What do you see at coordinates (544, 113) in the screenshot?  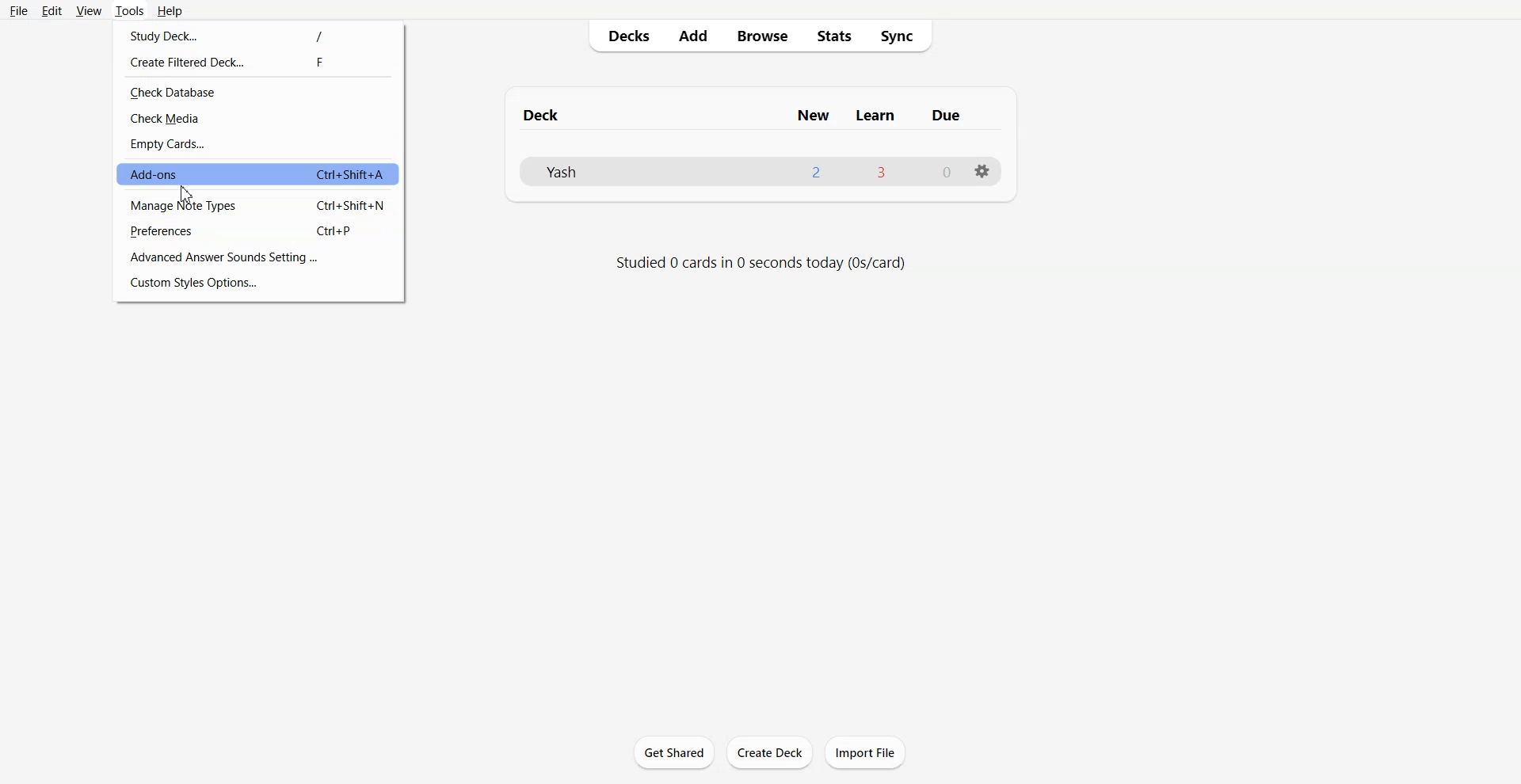 I see `Deck` at bounding box center [544, 113].